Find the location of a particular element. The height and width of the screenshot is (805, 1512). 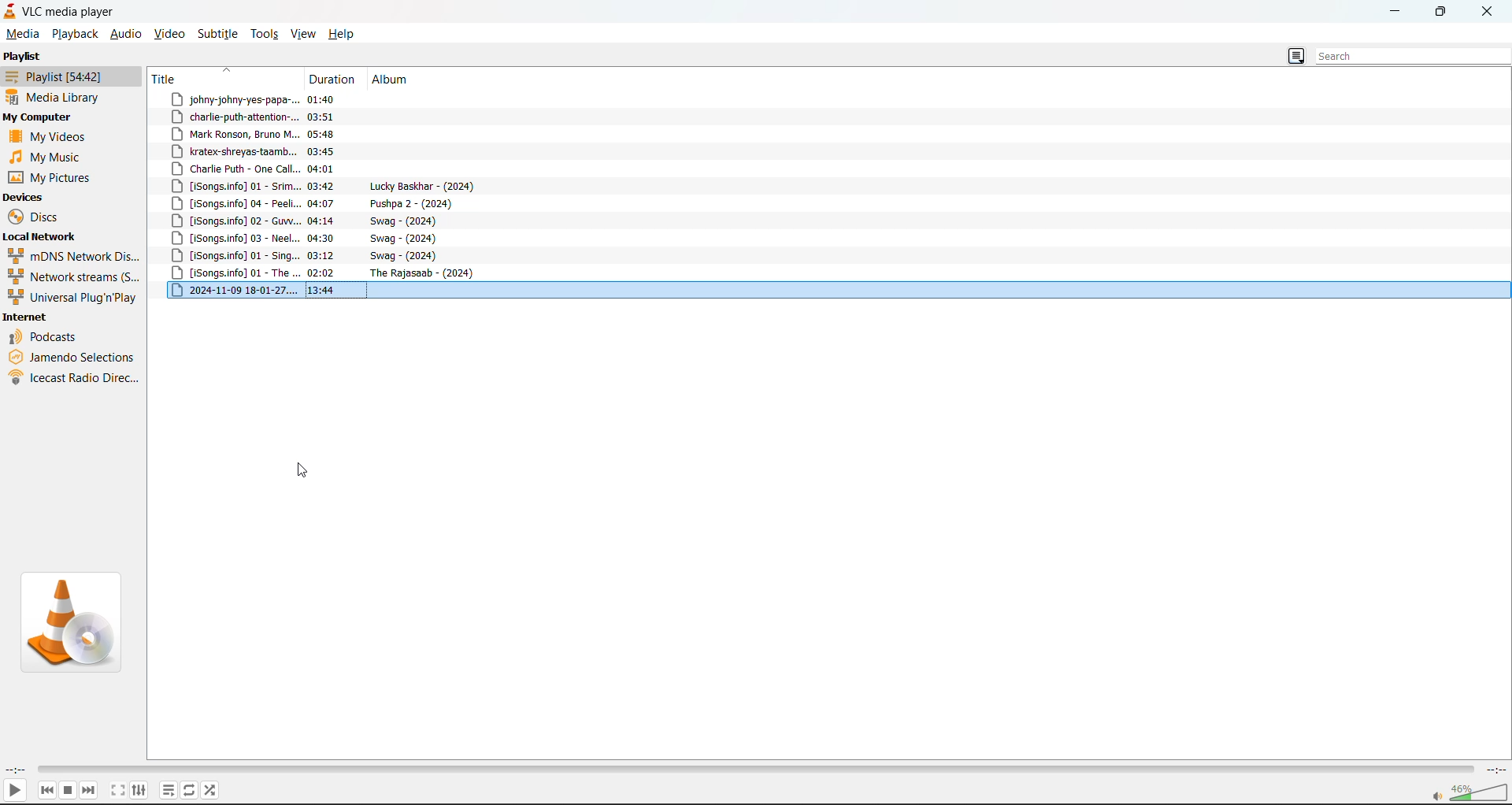

help is located at coordinates (346, 33).